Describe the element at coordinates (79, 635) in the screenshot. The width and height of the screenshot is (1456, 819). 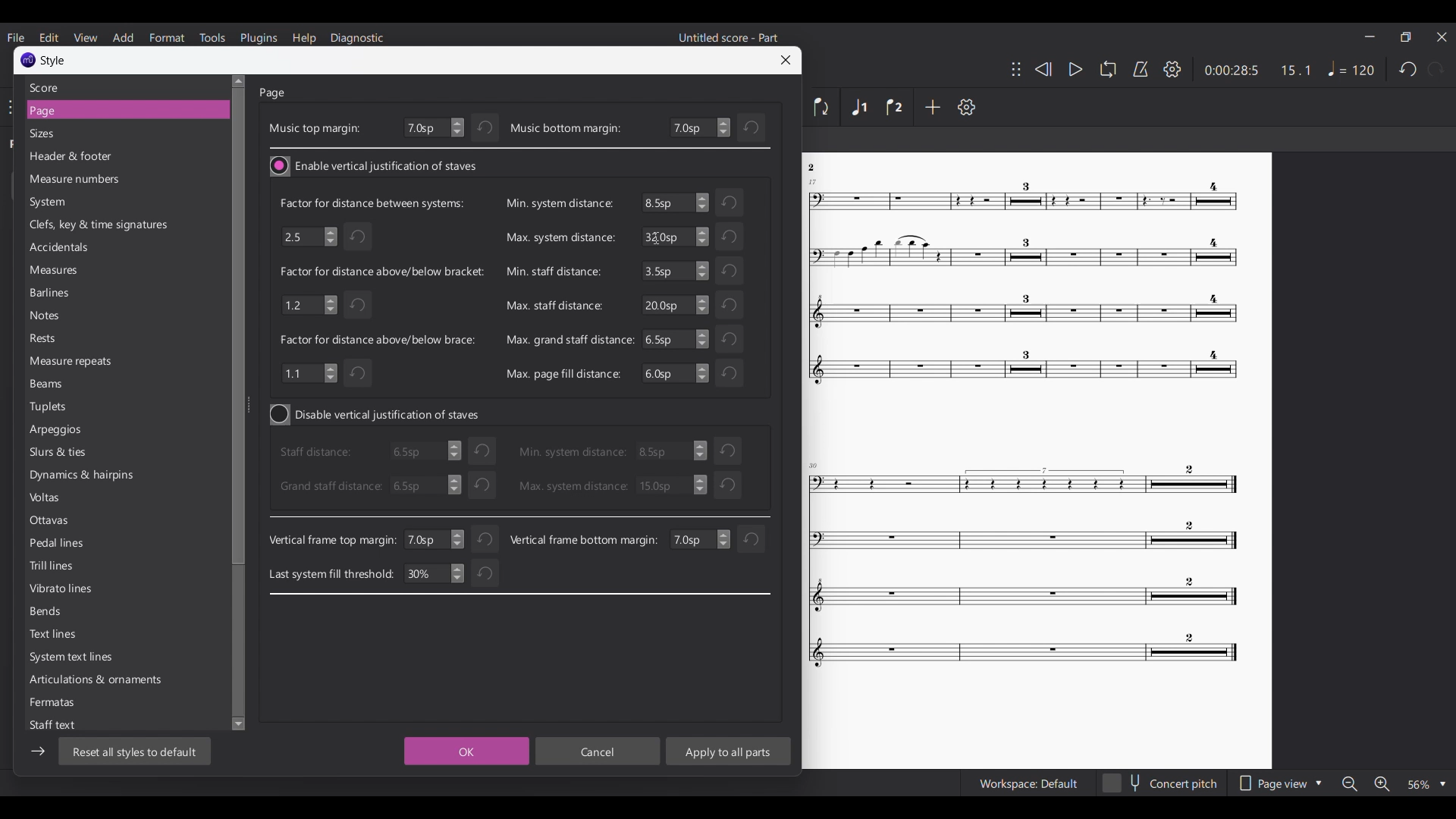
I see `Text lines` at that location.